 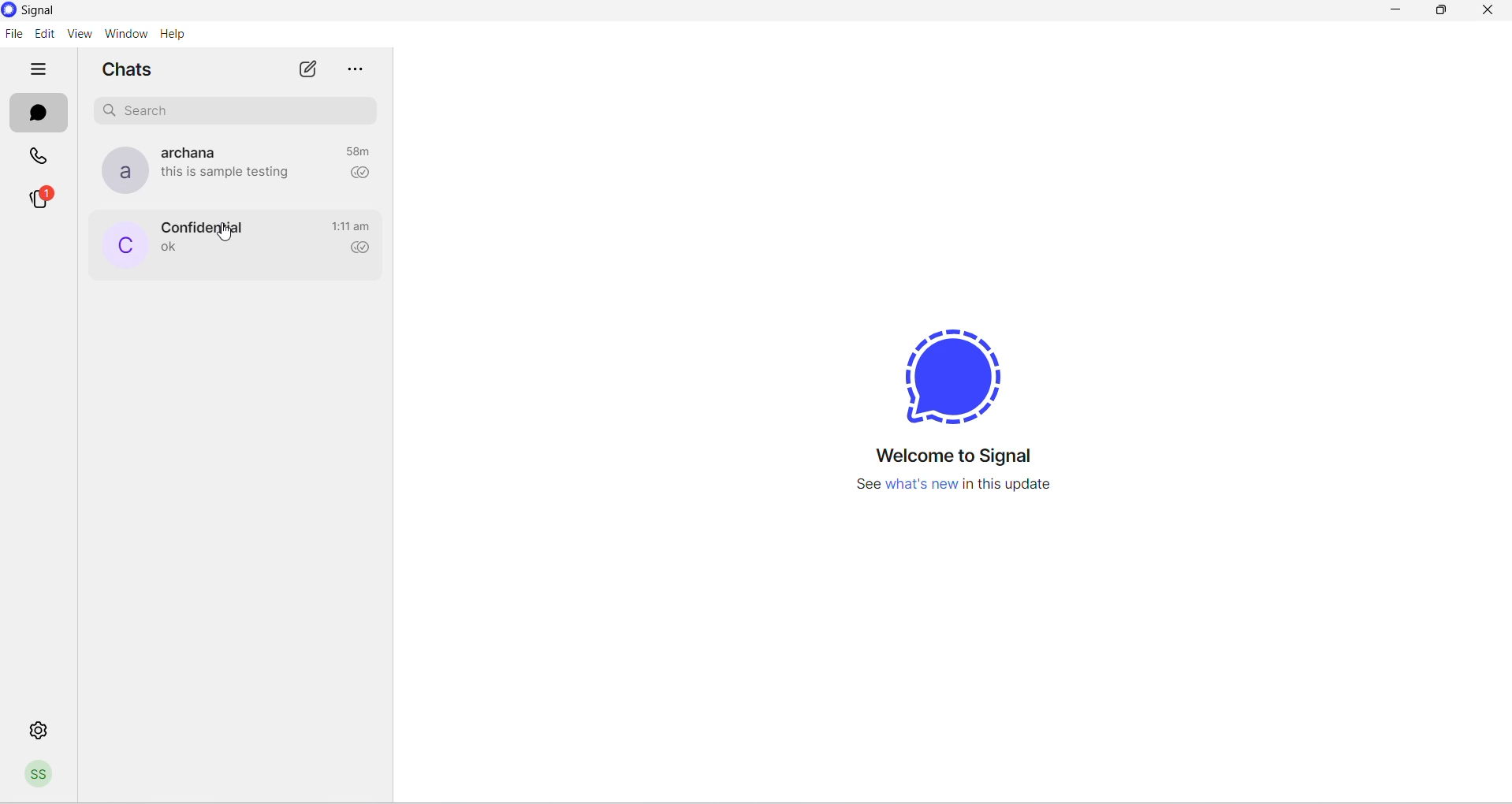 I want to click on window, so click(x=127, y=33).